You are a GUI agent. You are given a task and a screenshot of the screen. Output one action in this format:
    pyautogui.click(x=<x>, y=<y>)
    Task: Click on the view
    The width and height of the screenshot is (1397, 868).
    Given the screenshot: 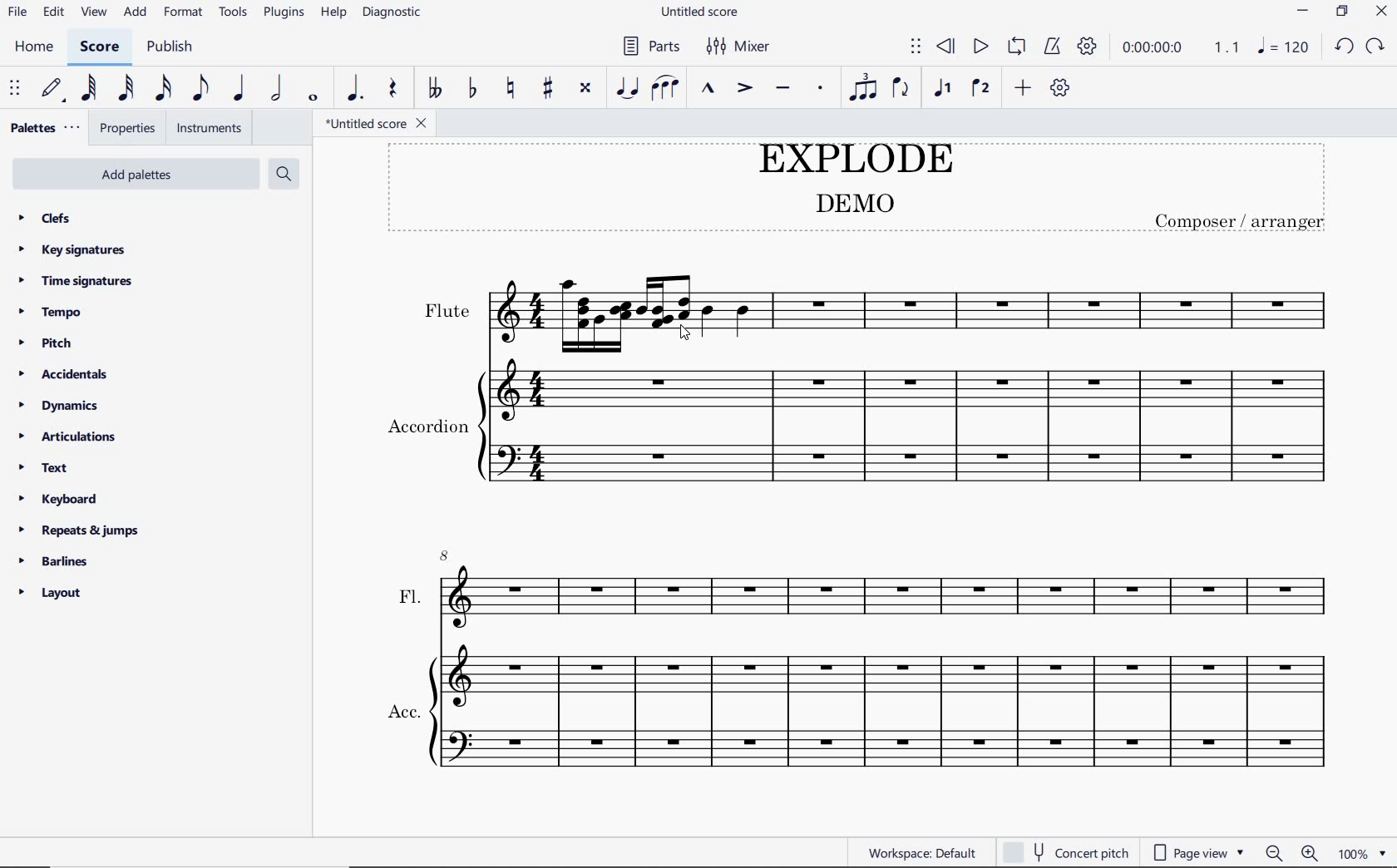 What is the action you would take?
    pyautogui.click(x=91, y=11)
    